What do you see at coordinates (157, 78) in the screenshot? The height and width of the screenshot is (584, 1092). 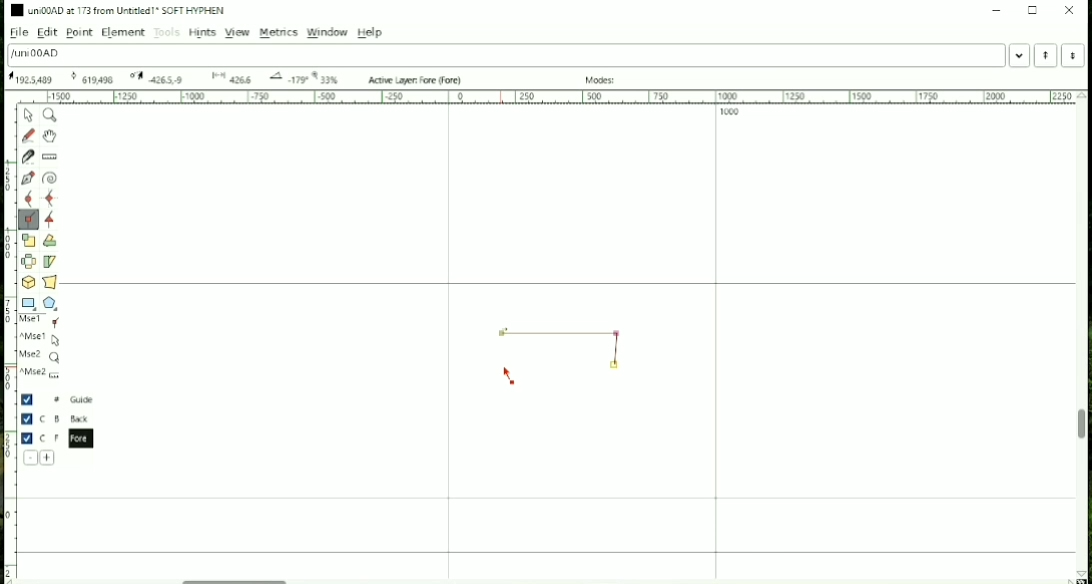 I see `173 Oxad U+00AD "uni00AD" SOFT HYPHEN` at bounding box center [157, 78].